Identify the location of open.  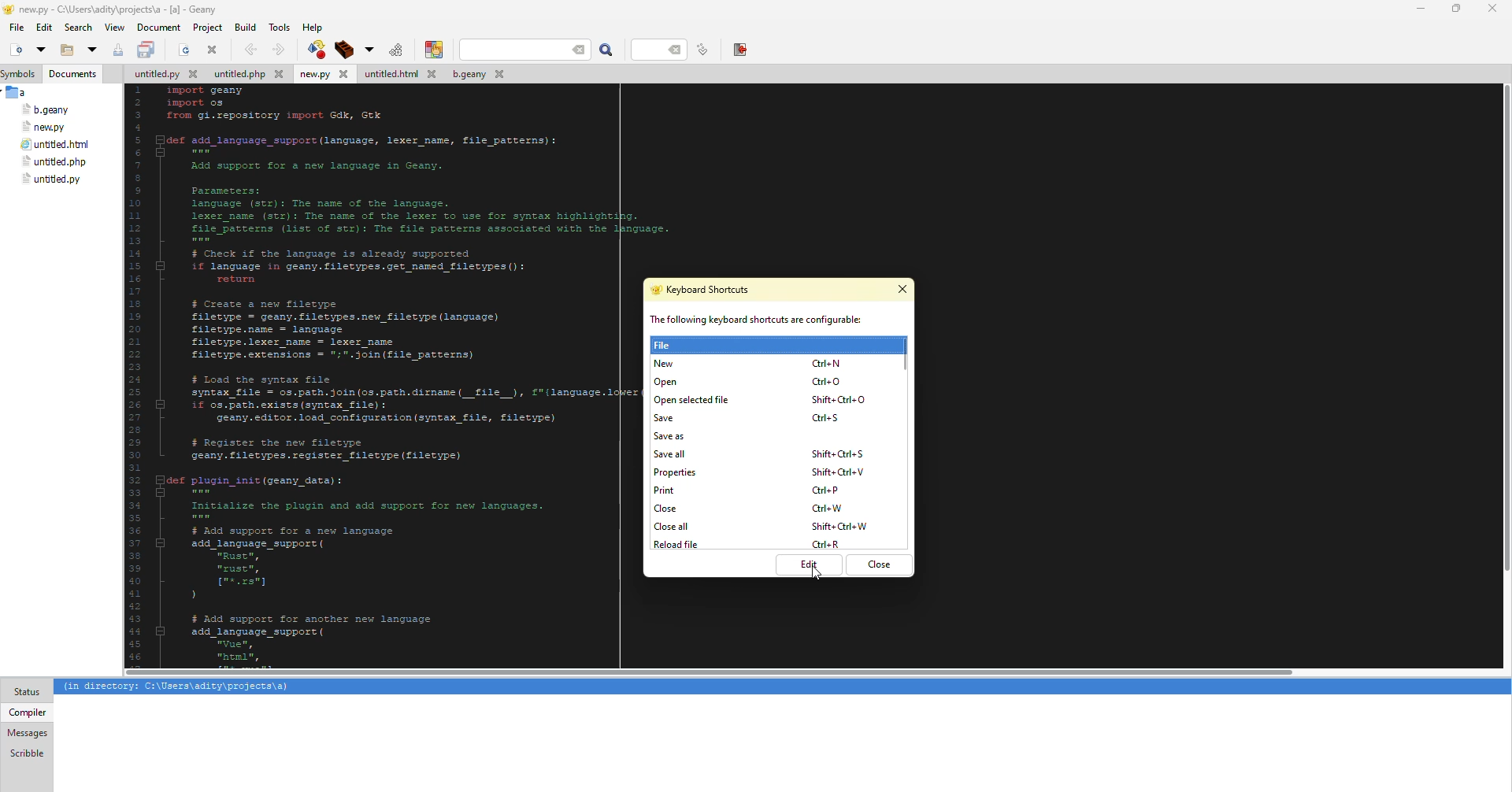
(184, 51).